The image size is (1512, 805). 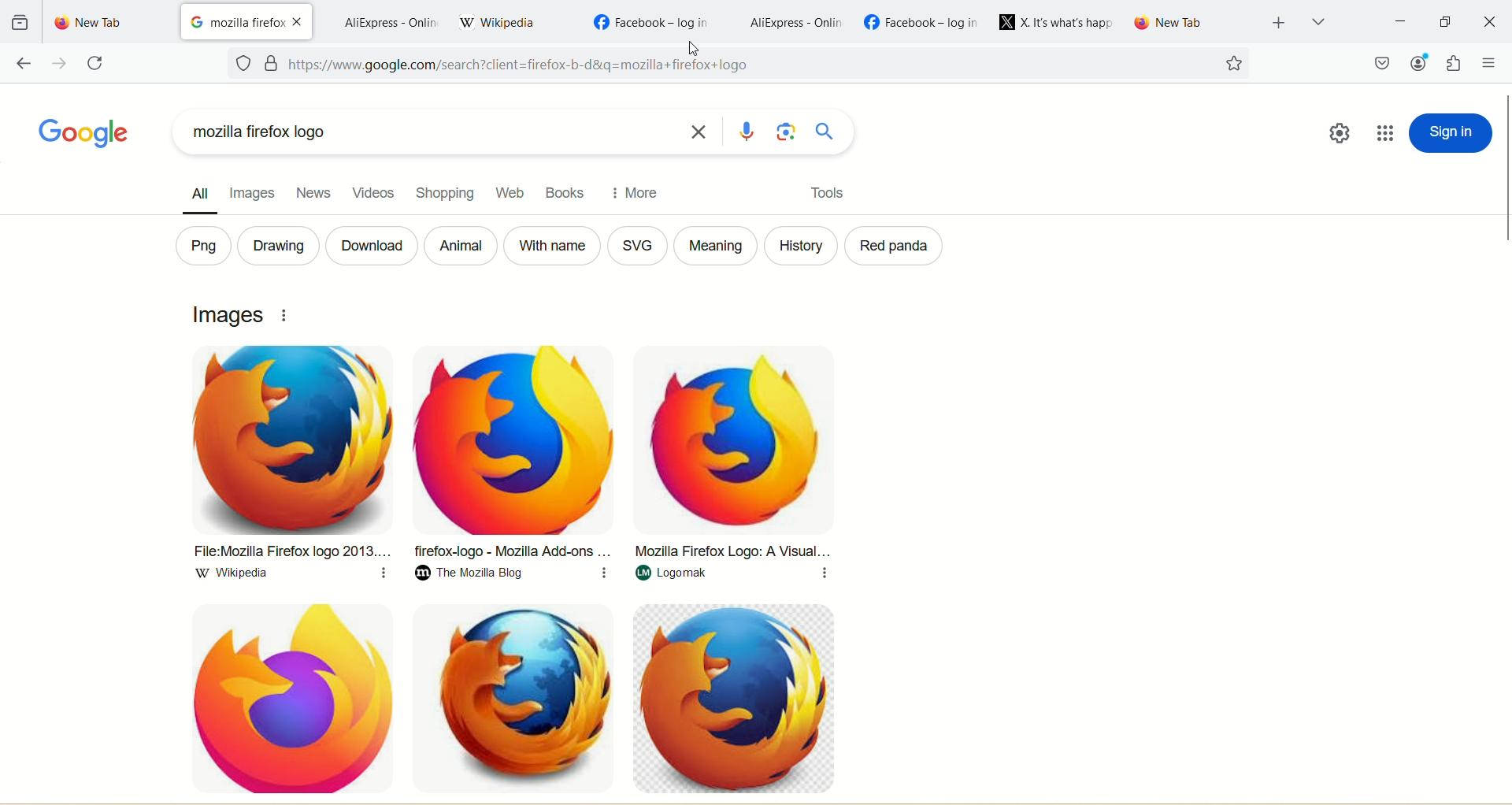 I want to click on new tab, so click(x=108, y=22).